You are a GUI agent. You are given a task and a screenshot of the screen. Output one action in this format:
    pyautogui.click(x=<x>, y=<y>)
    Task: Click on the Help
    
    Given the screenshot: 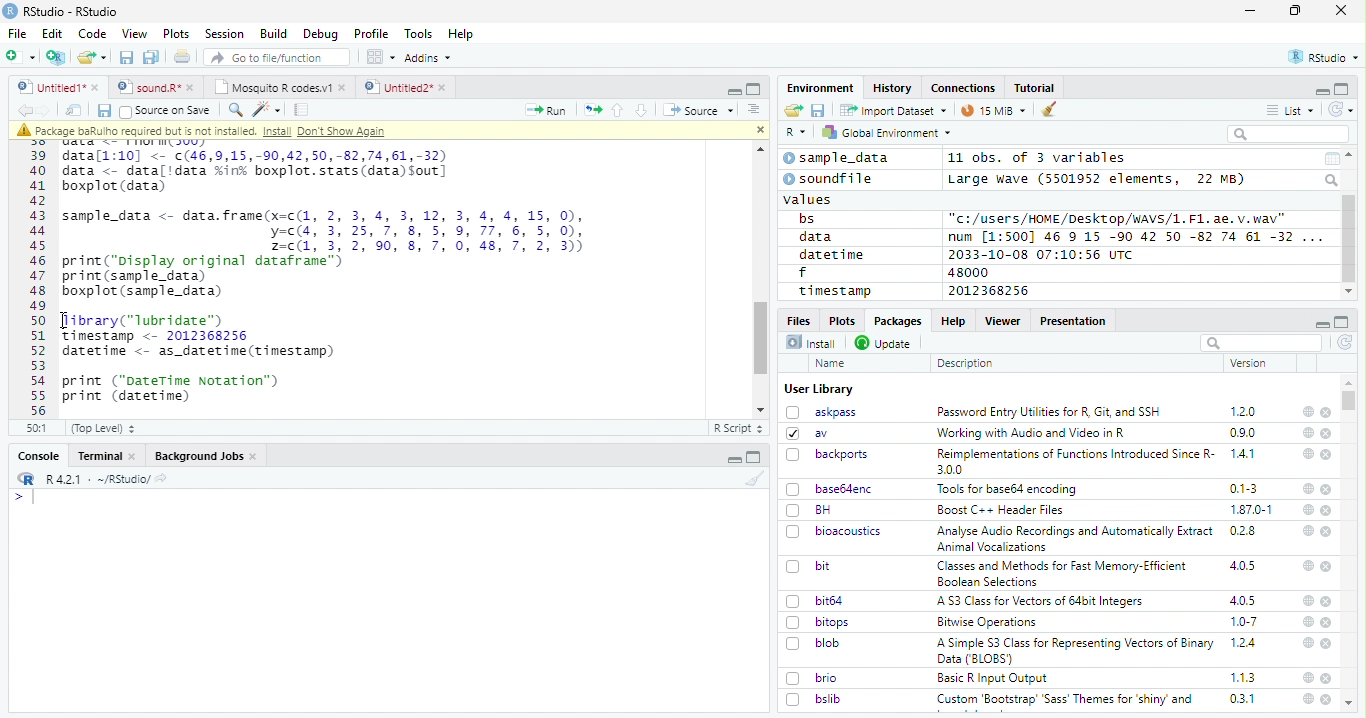 What is the action you would take?
    pyautogui.click(x=461, y=35)
    